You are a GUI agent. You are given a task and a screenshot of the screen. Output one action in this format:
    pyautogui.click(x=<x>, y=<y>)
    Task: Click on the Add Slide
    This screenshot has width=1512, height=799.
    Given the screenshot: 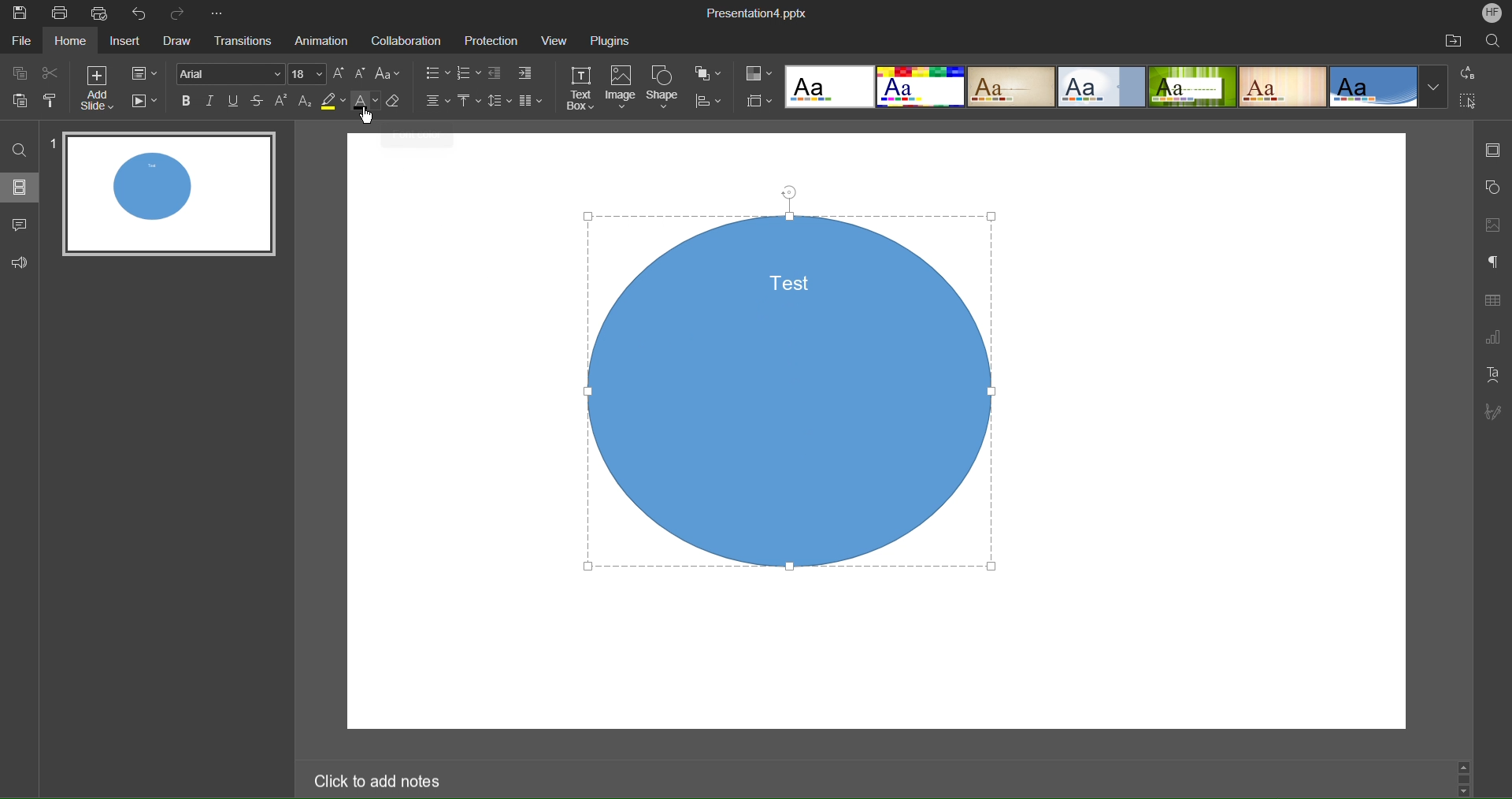 What is the action you would take?
    pyautogui.click(x=98, y=91)
    